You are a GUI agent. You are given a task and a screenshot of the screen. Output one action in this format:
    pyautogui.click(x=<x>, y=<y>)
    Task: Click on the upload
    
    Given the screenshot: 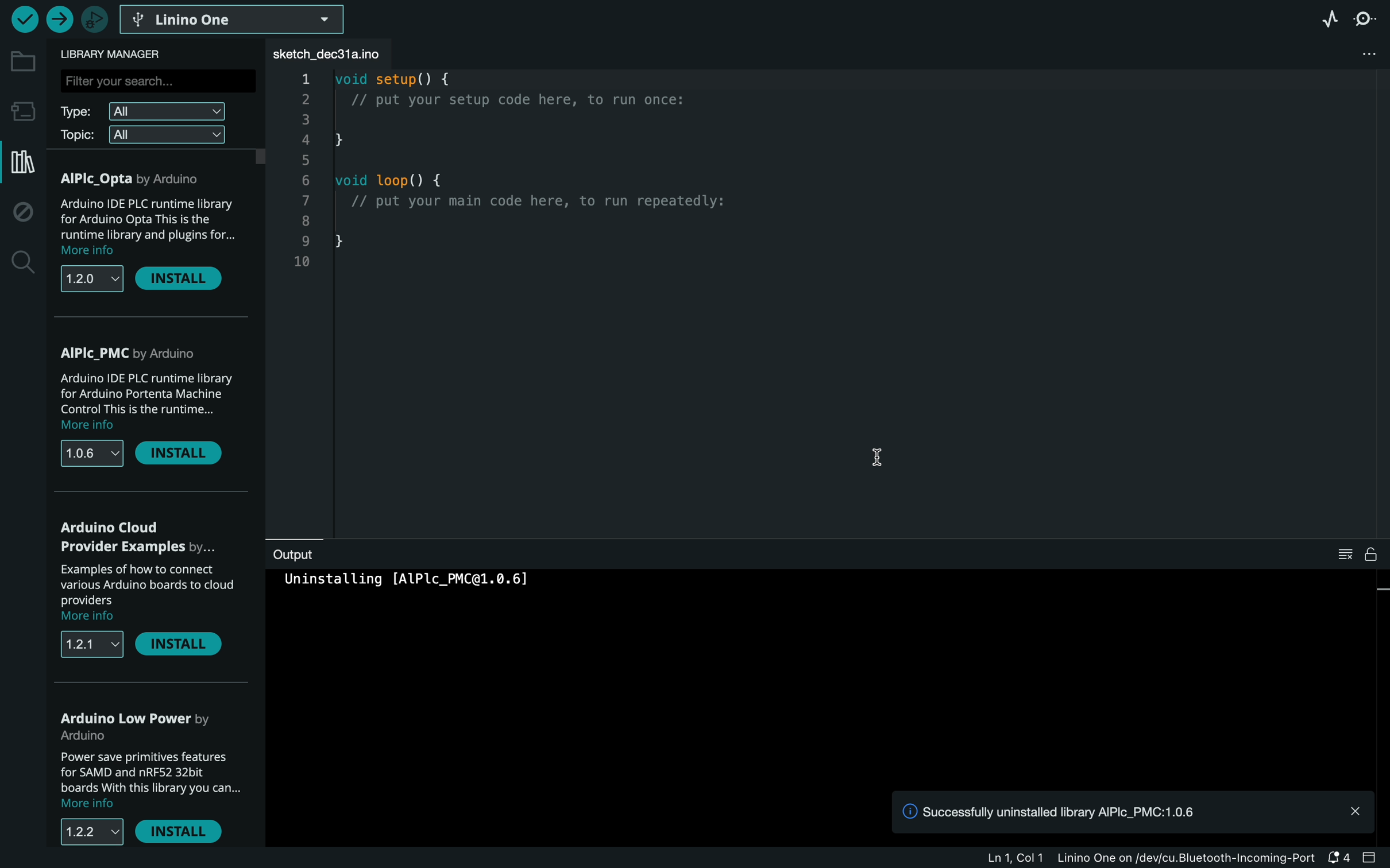 What is the action you would take?
    pyautogui.click(x=60, y=19)
    